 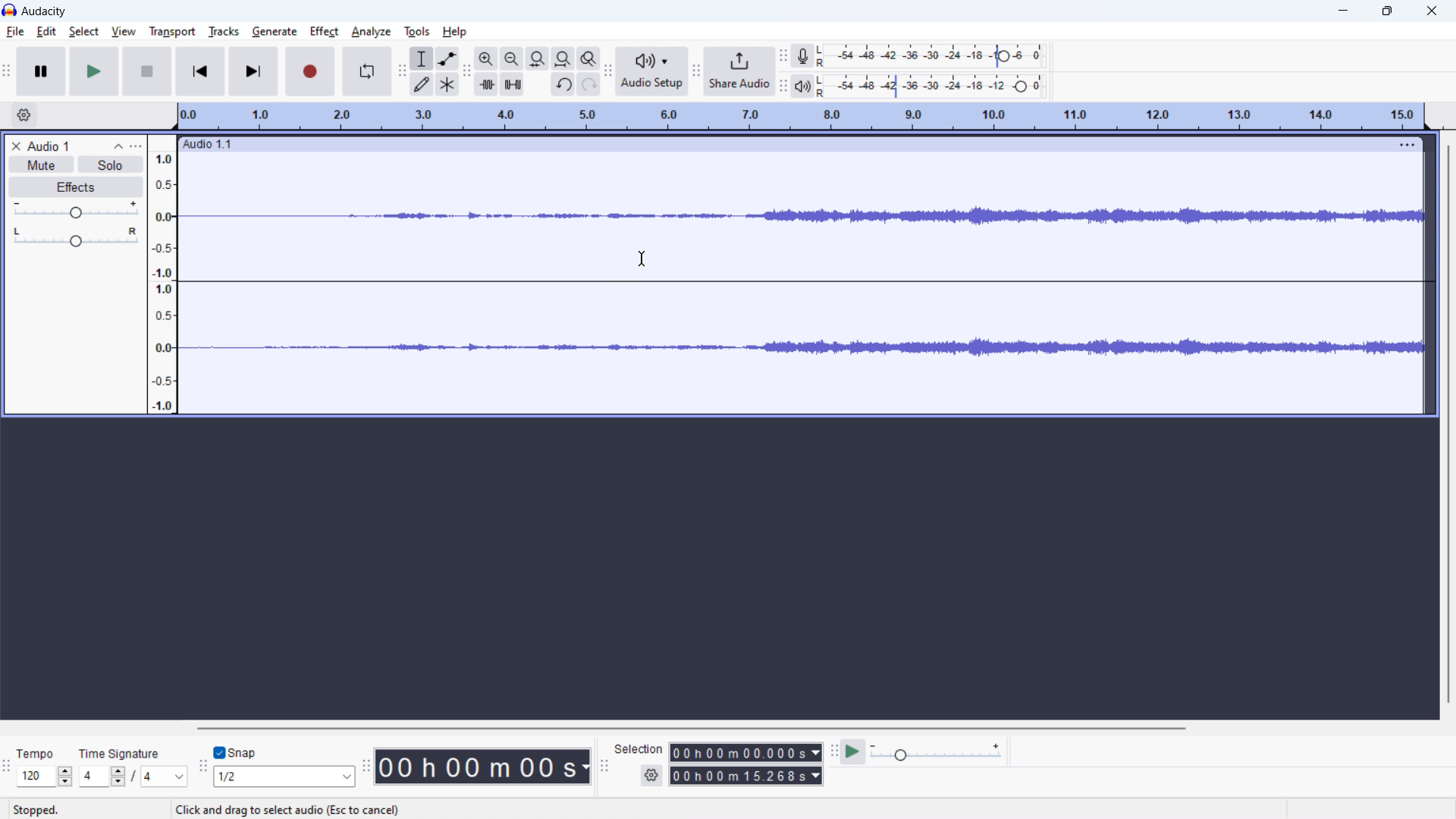 I want to click on zoom in, so click(x=486, y=58).